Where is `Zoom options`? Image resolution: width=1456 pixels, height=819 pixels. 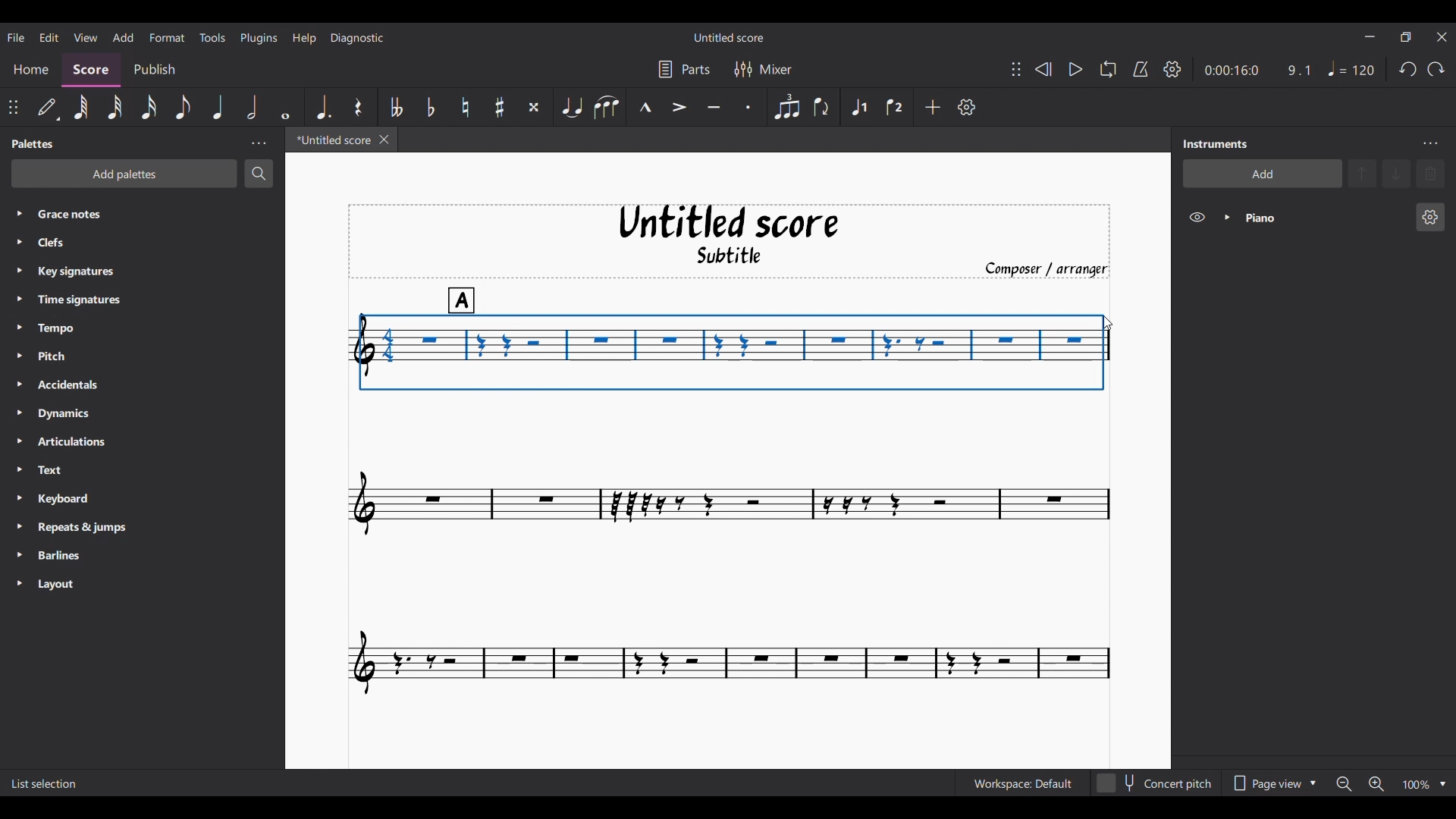
Zoom options is located at coordinates (1442, 784).